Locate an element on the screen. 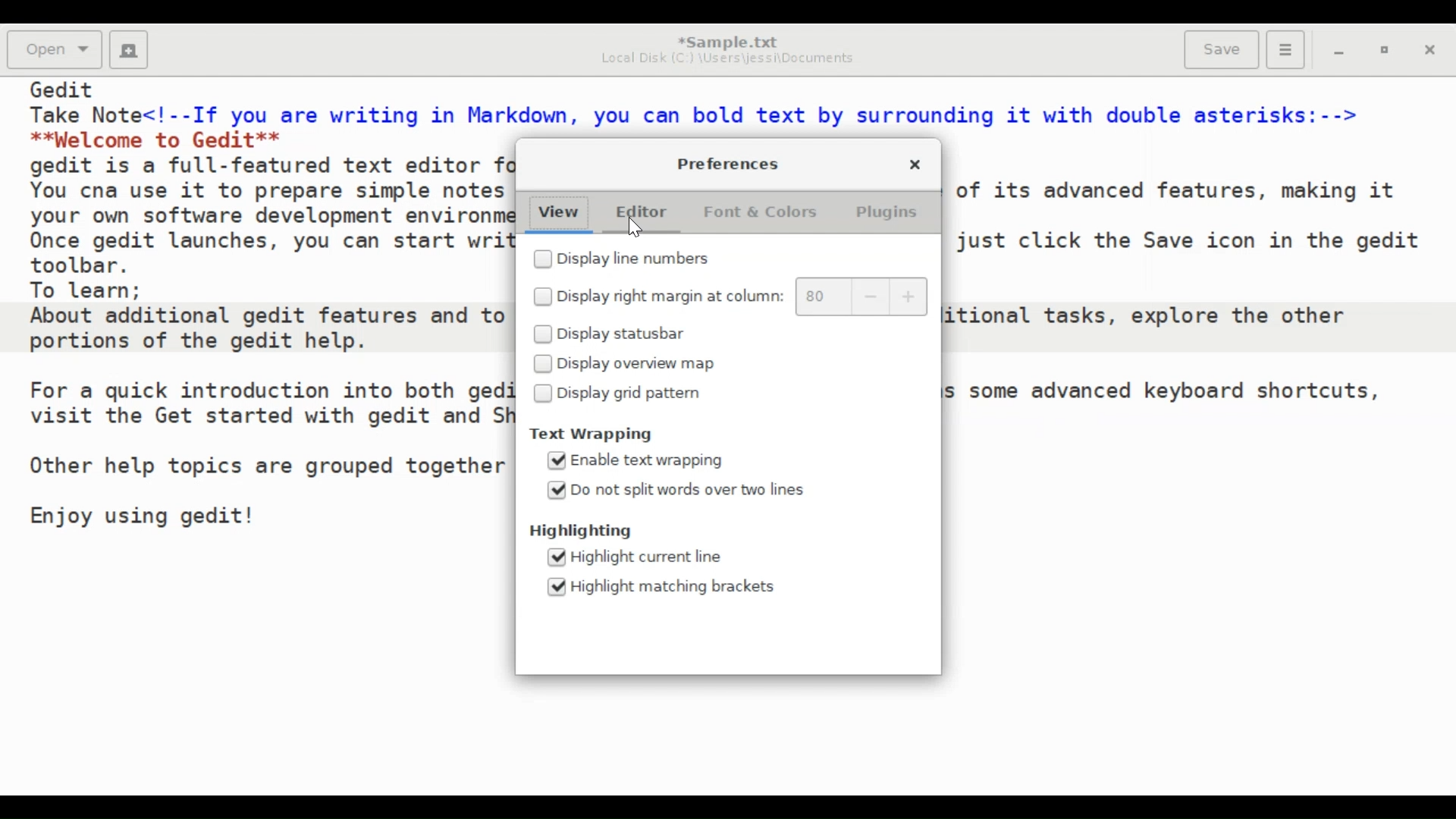 This screenshot has width=1456, height=819. View is located at coordinates (557, 213).